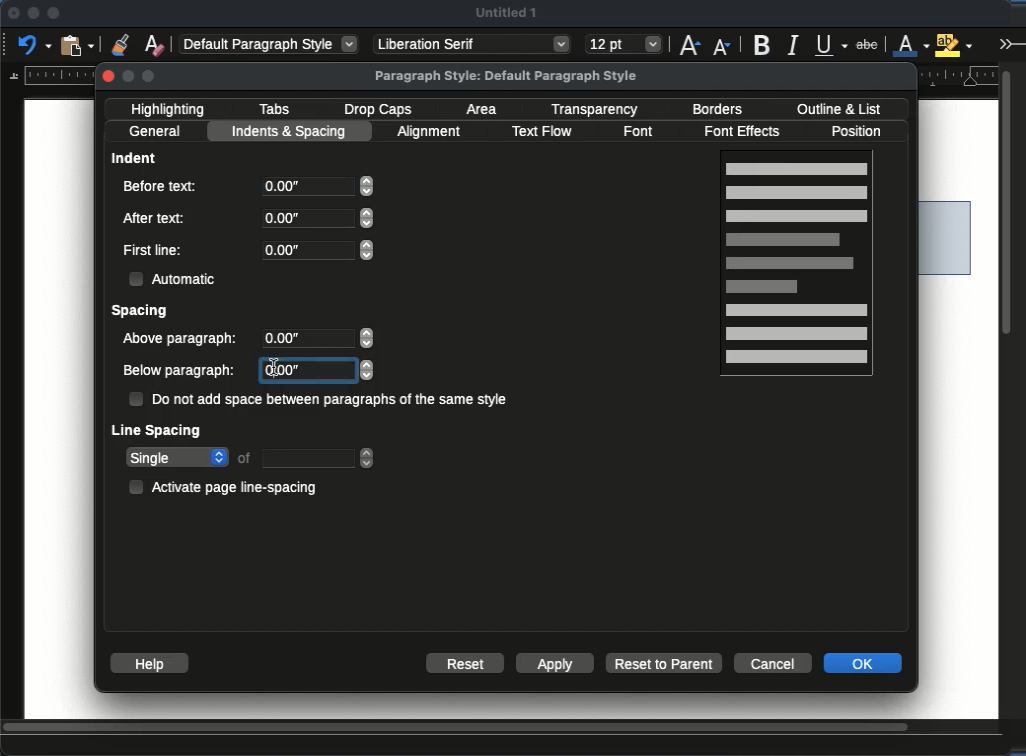 This screenshot has height=756, width=1026. I want to click on 12 pt, so click(624, 45).